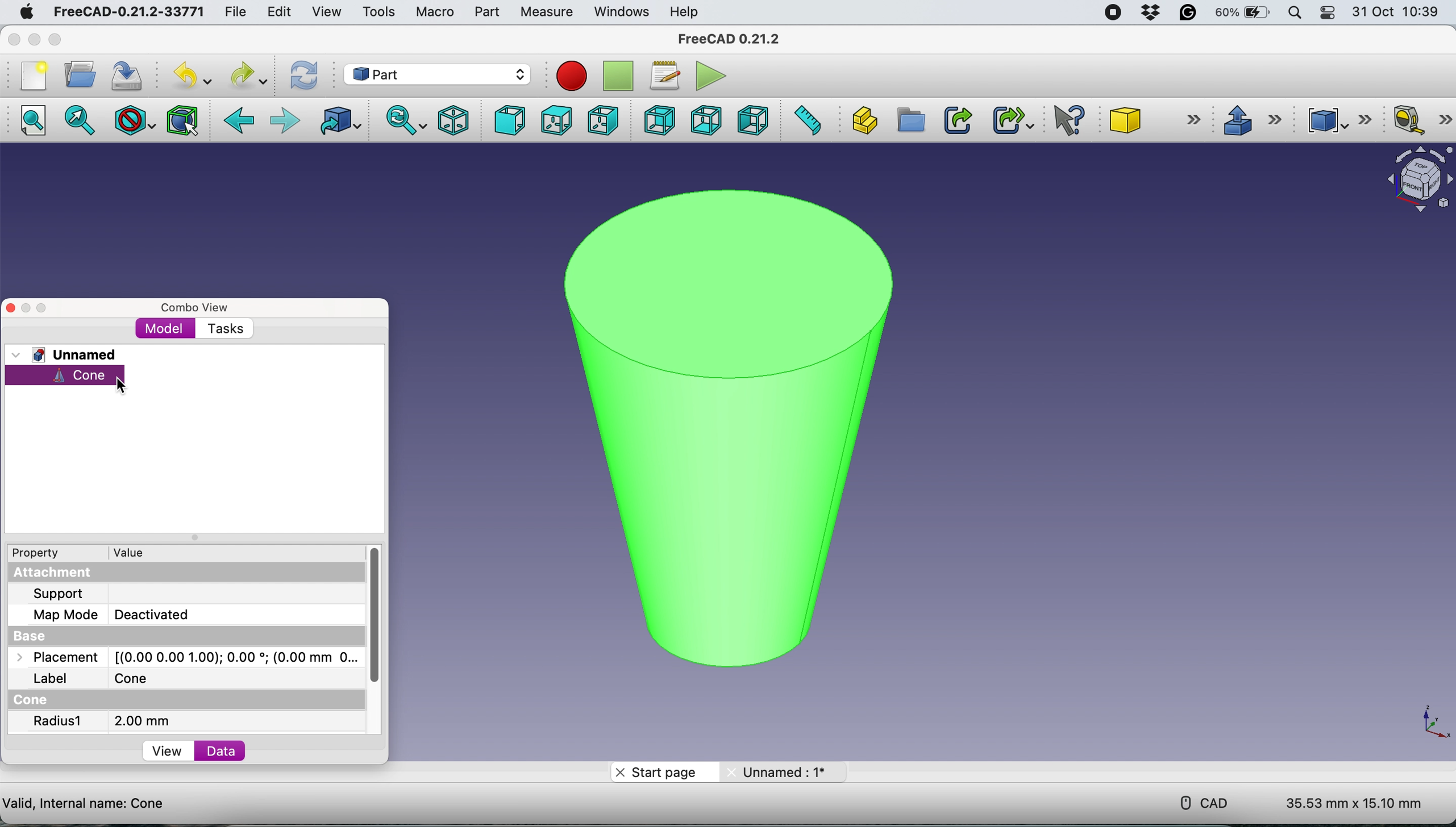 Image resolution: width=1456 pixels, height=827 pixels. Describe the element at coordinates (224, 751) in the screenshot. I see `data` at that location.